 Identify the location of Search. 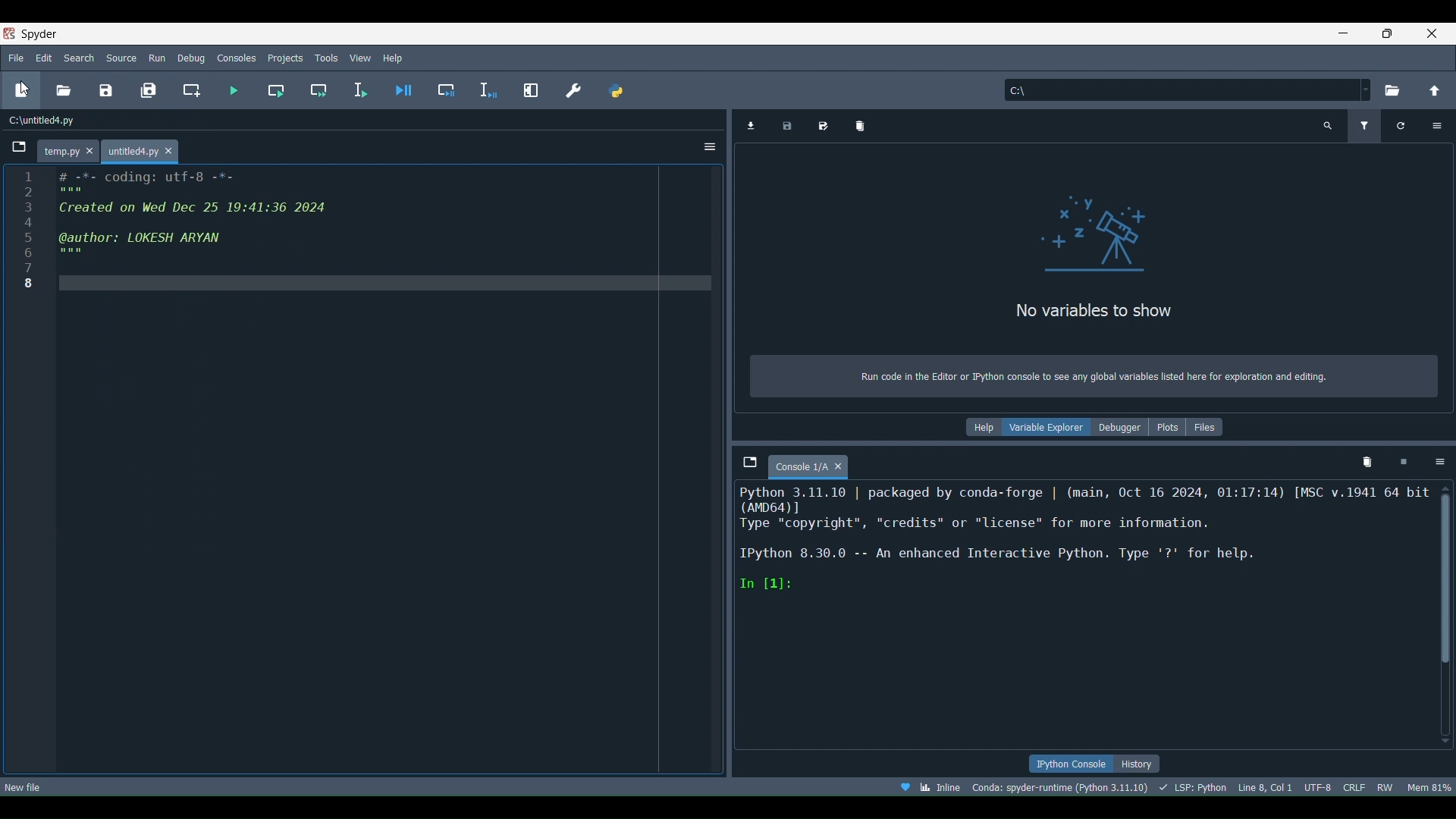
(77, 57).